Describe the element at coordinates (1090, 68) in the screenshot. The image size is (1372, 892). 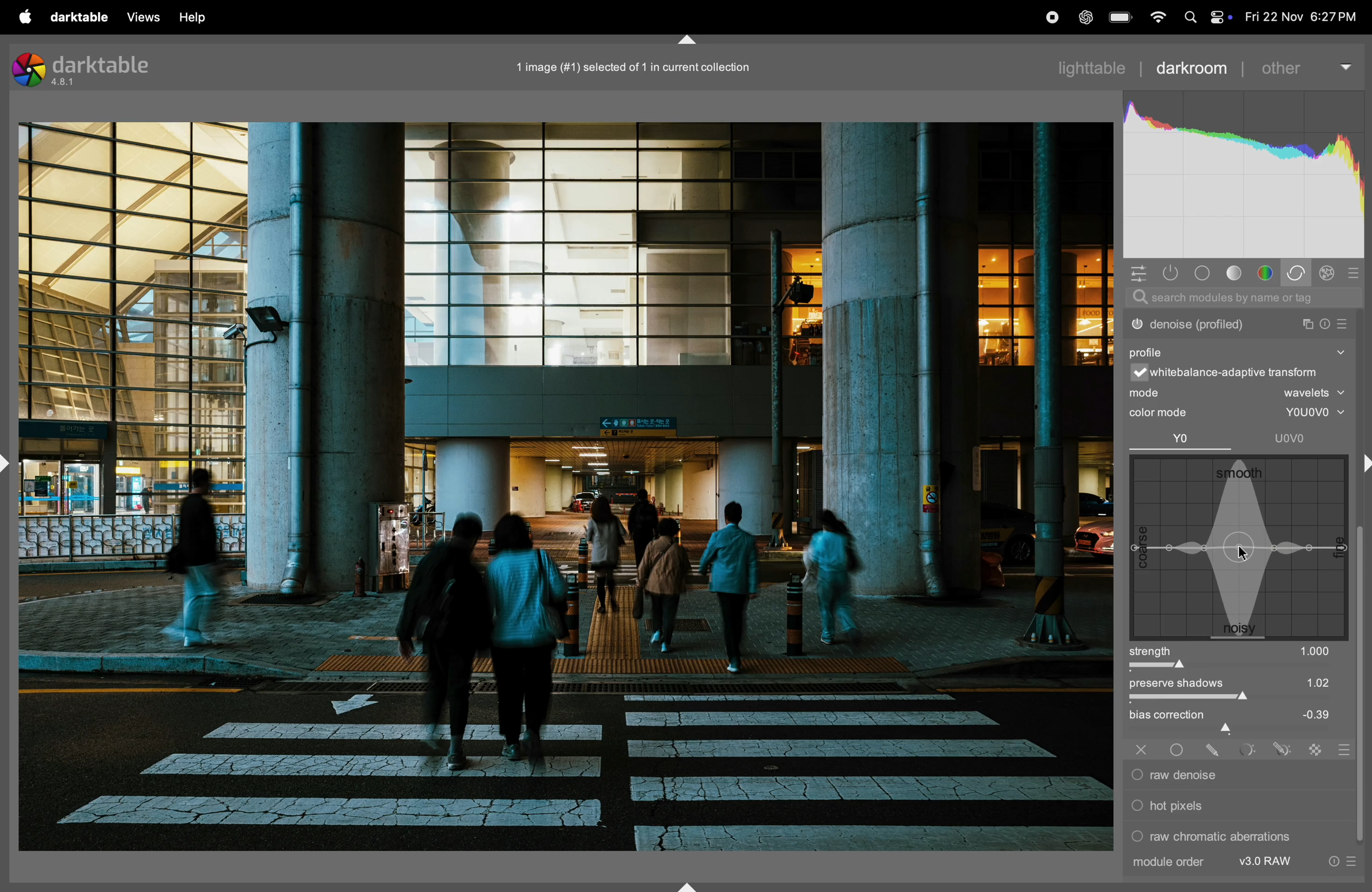
I see `lighttable` at that location.